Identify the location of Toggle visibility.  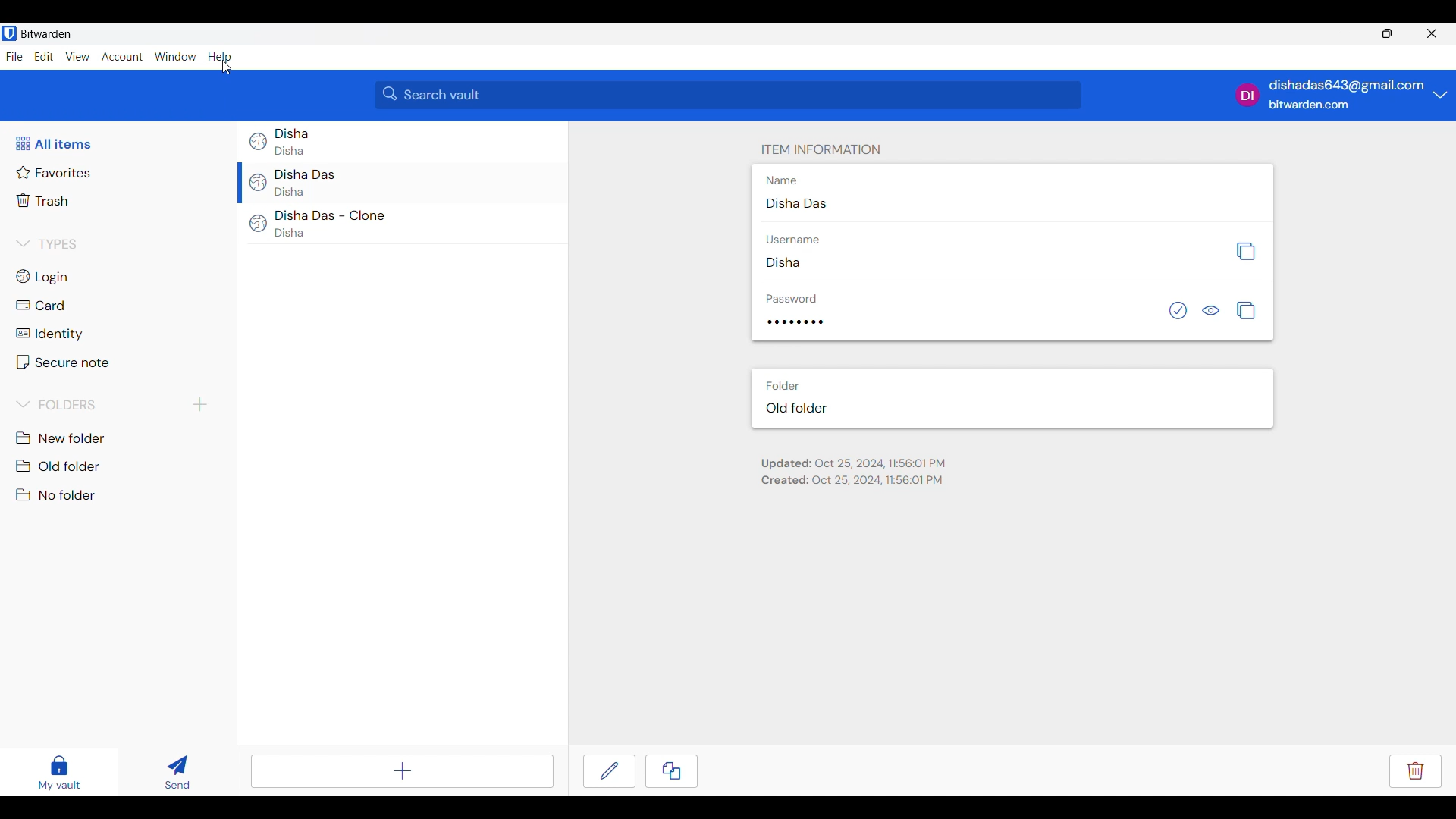
(1210, 310).